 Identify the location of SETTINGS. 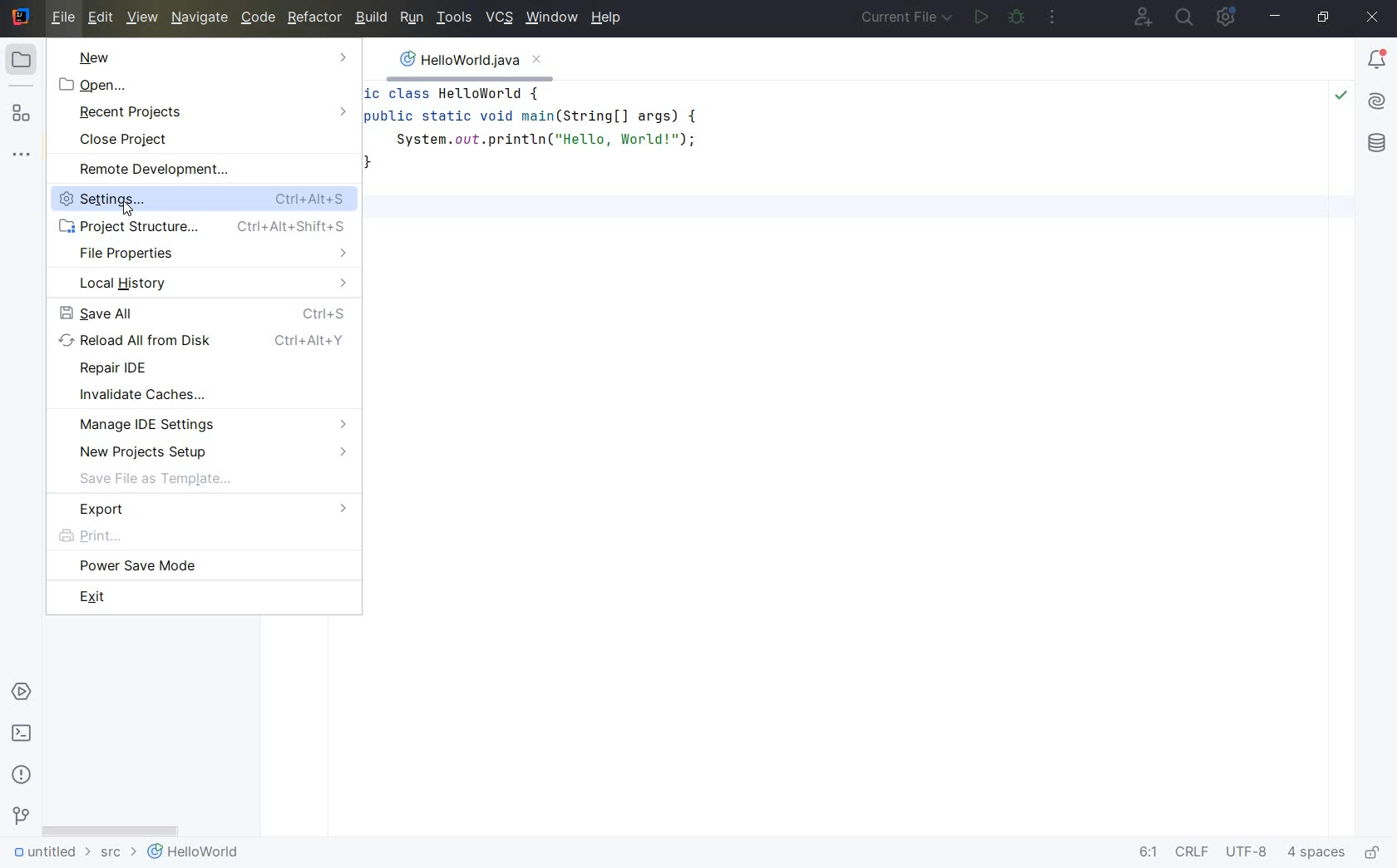
(87, 200).